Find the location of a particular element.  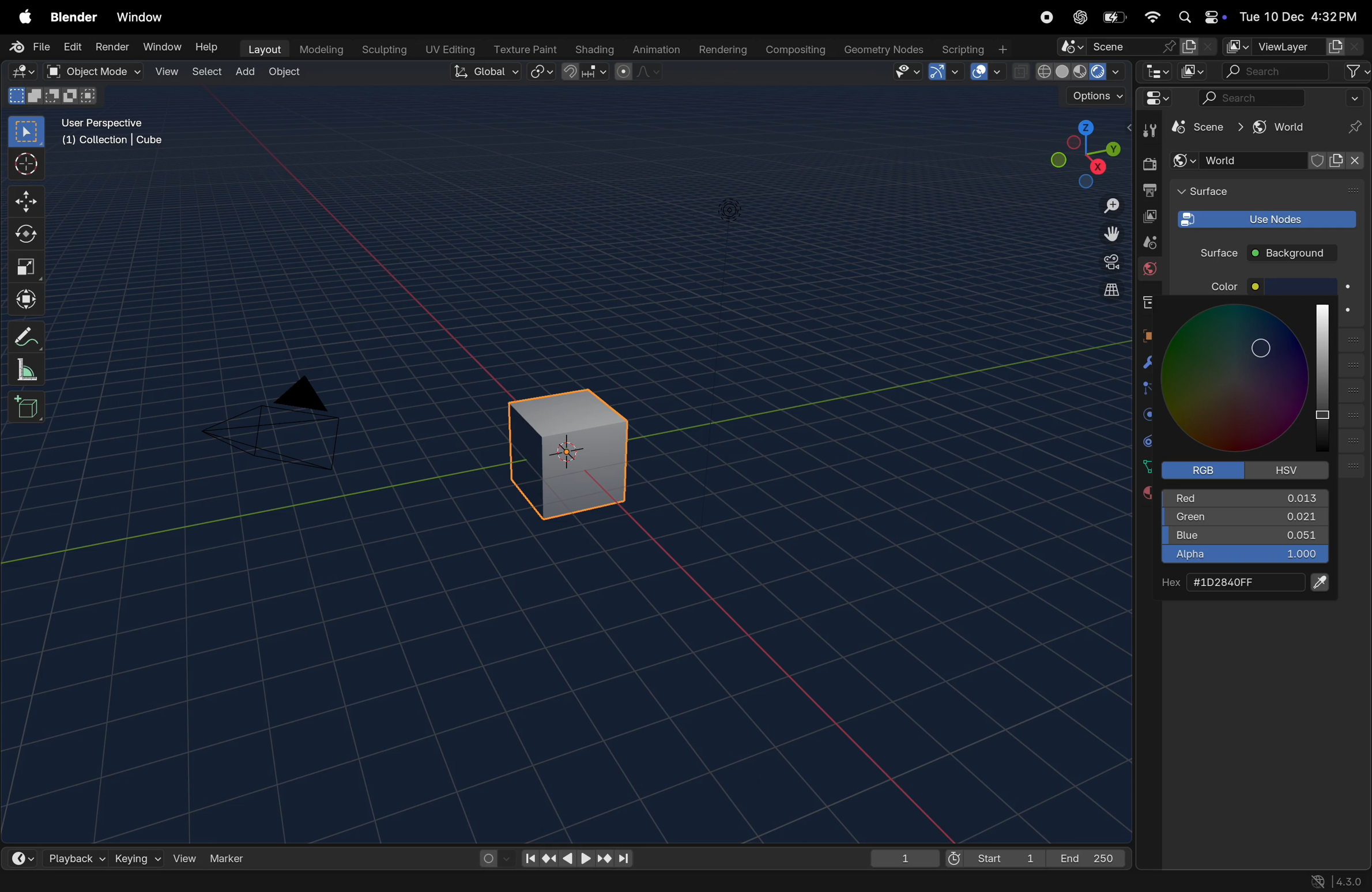

zoom is located at coordinates (1105, 205).